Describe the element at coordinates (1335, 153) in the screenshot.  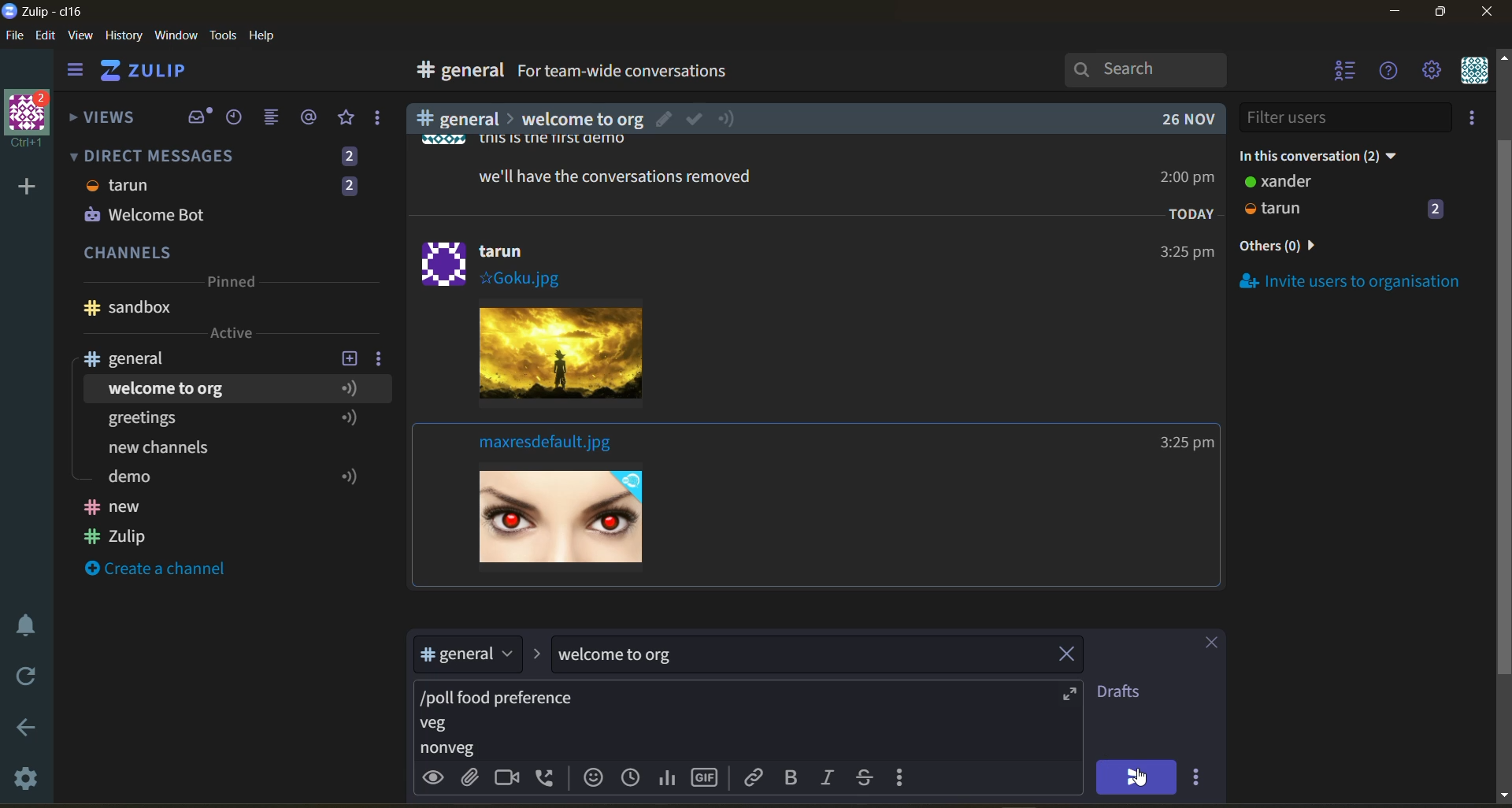
I see `in this conversation` at that location.